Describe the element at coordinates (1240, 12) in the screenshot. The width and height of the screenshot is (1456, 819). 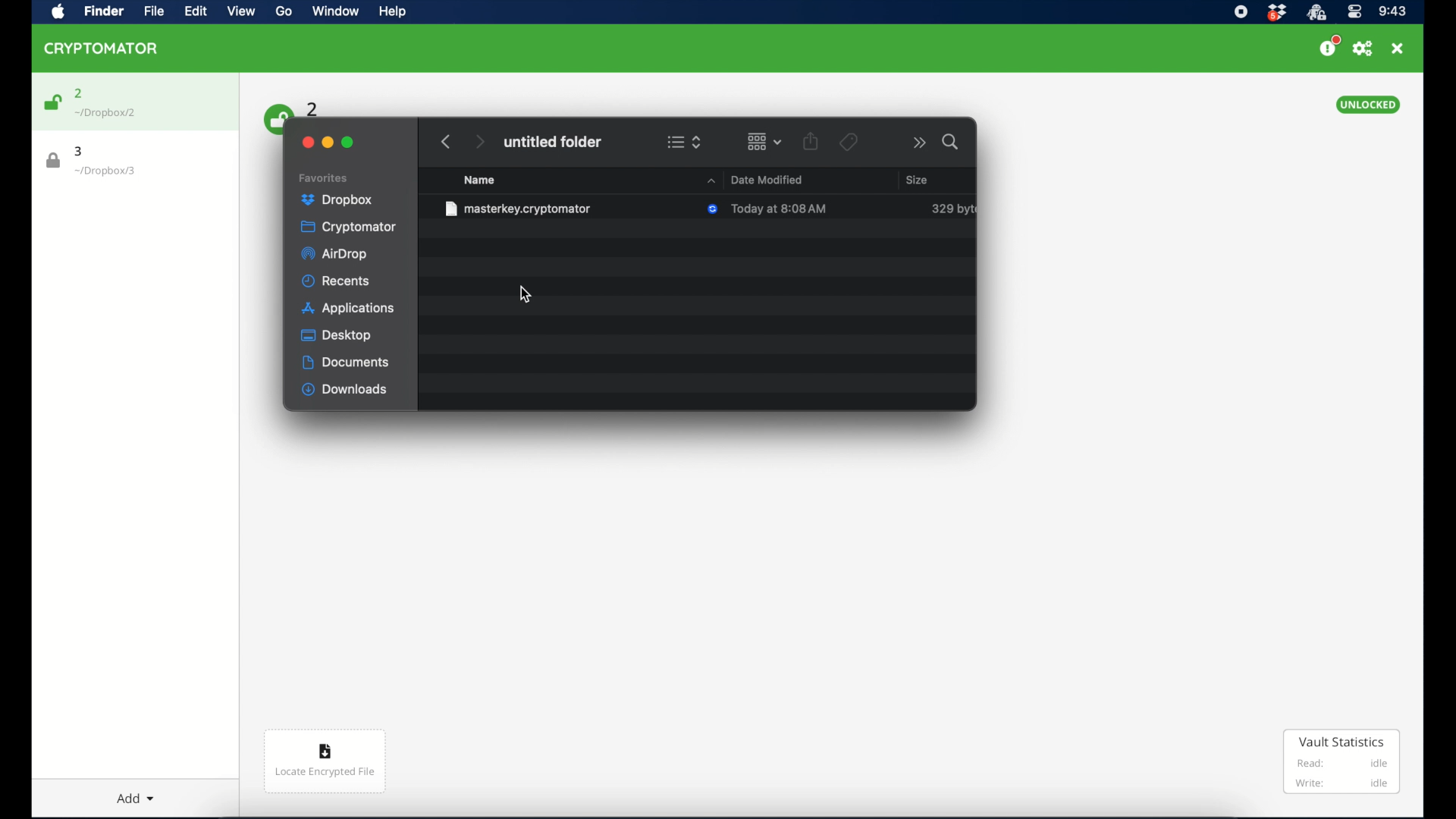
I see `screen recorder icon` at that location.